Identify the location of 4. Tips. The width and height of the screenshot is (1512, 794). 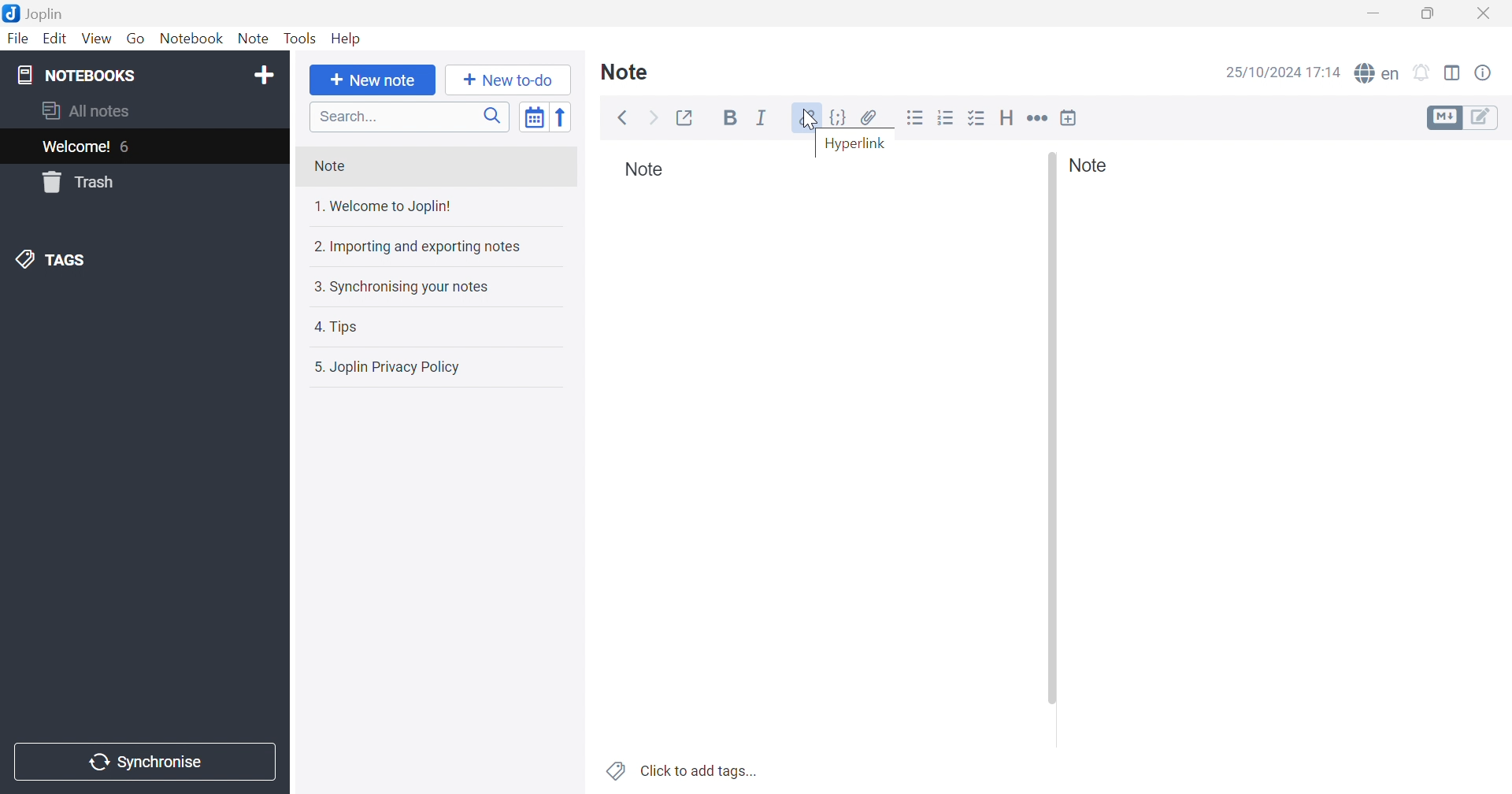
(430, 328).